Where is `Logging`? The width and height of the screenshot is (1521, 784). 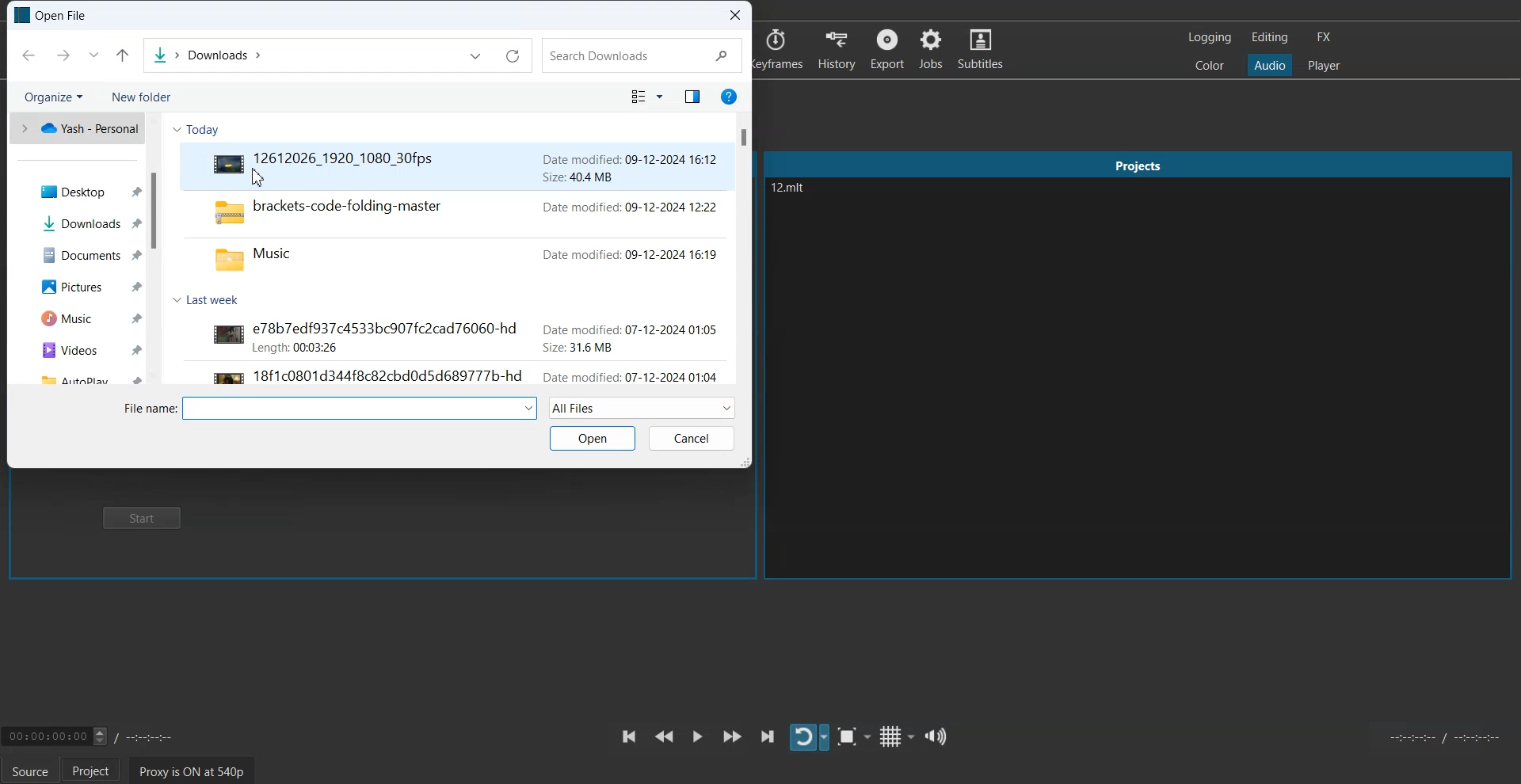
Logging is located at coordinates (1210, 37).